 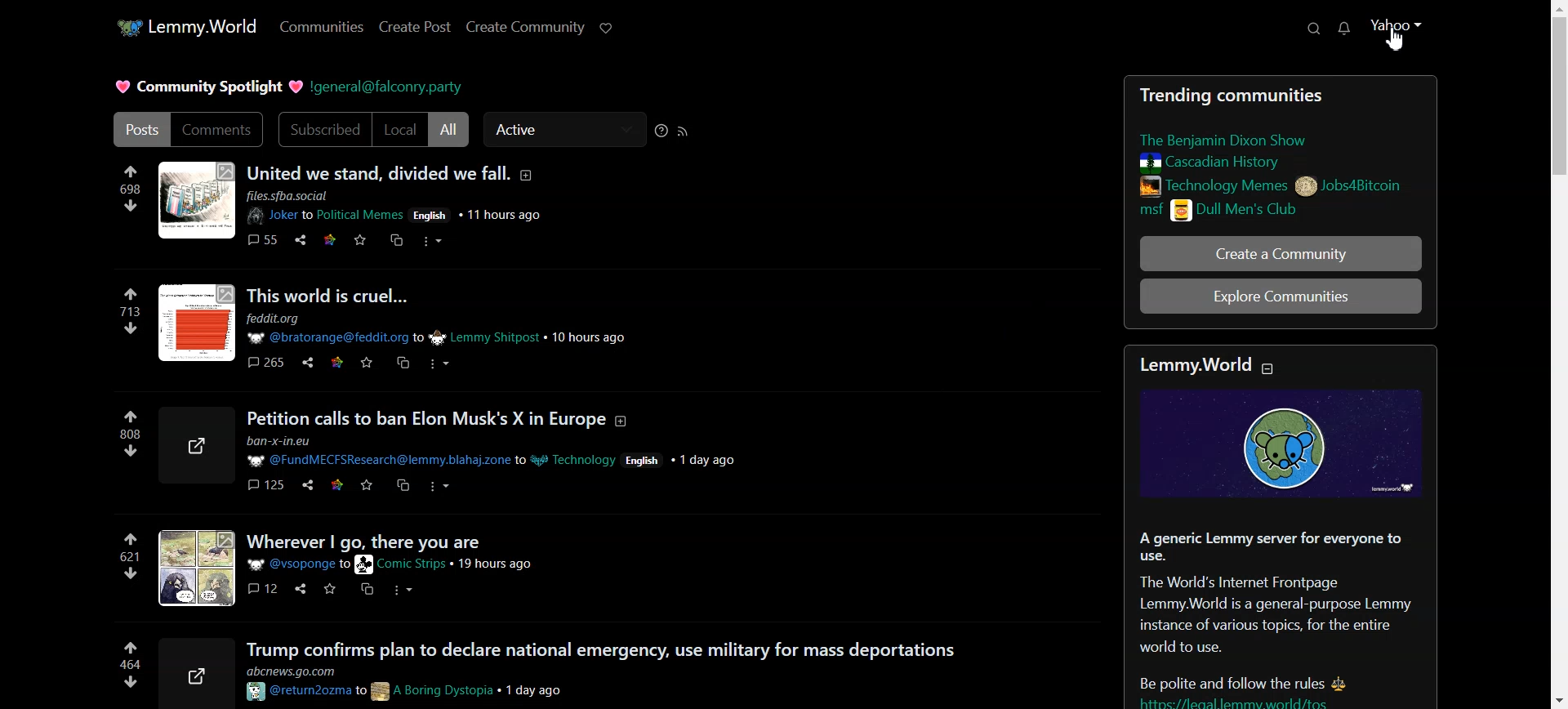 What do you see at coordinates (323, 26) in the screenshot?
I see `Communities` at bounding box center [323, 26].